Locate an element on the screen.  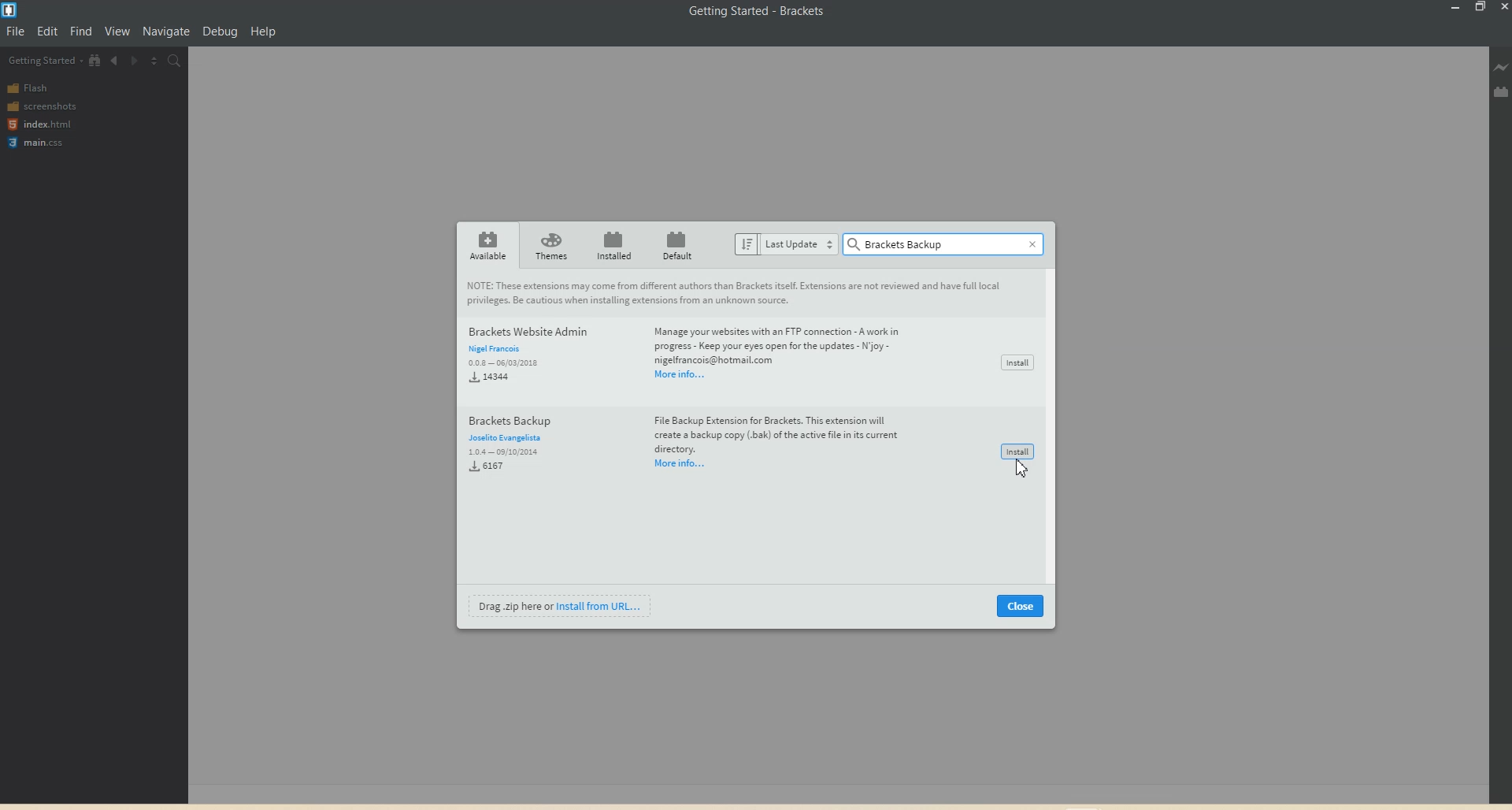
main.css is located at coordinates (39, 143).